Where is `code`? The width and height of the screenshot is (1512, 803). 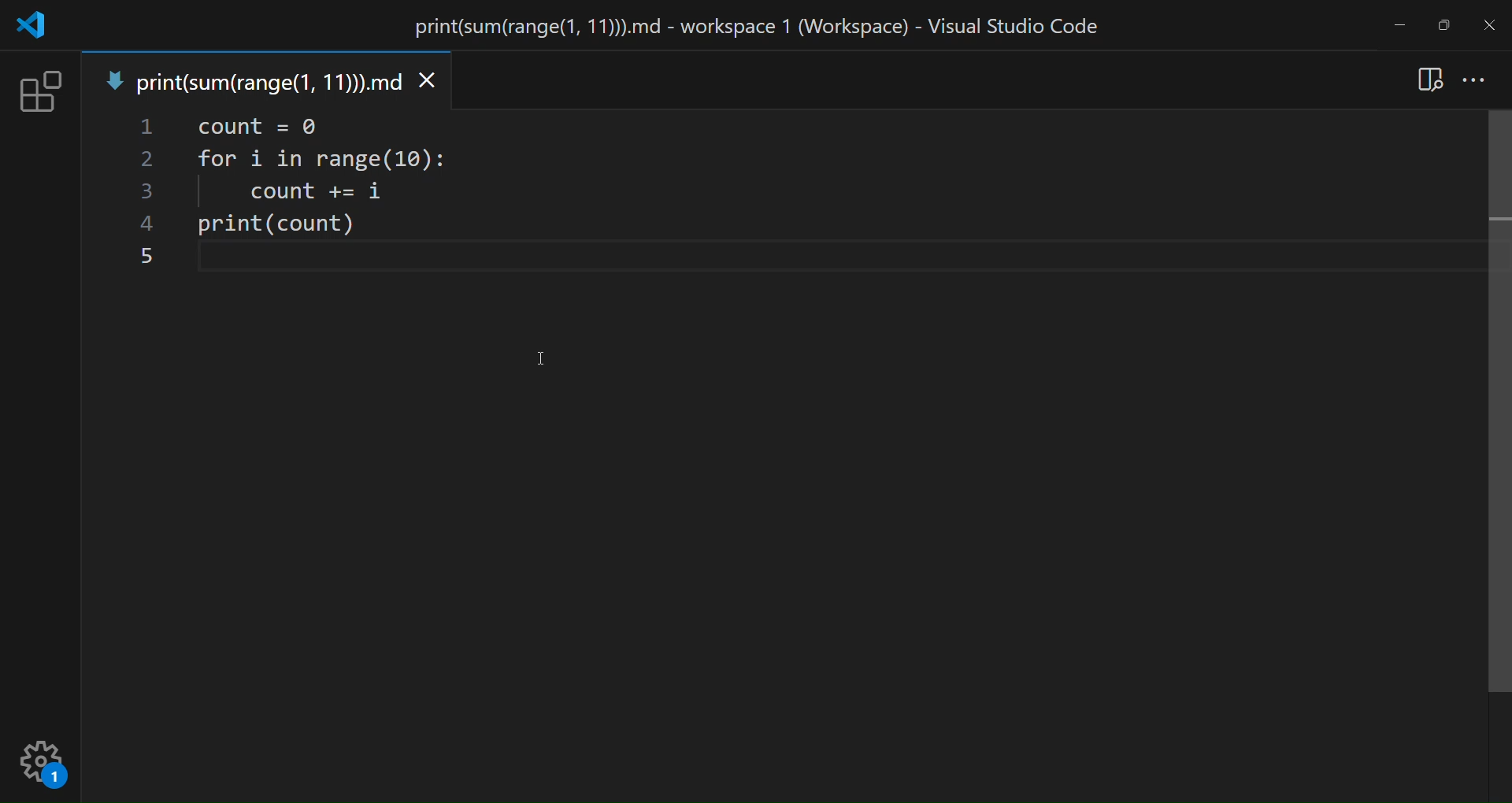
code is located at coordinates (335, 196).